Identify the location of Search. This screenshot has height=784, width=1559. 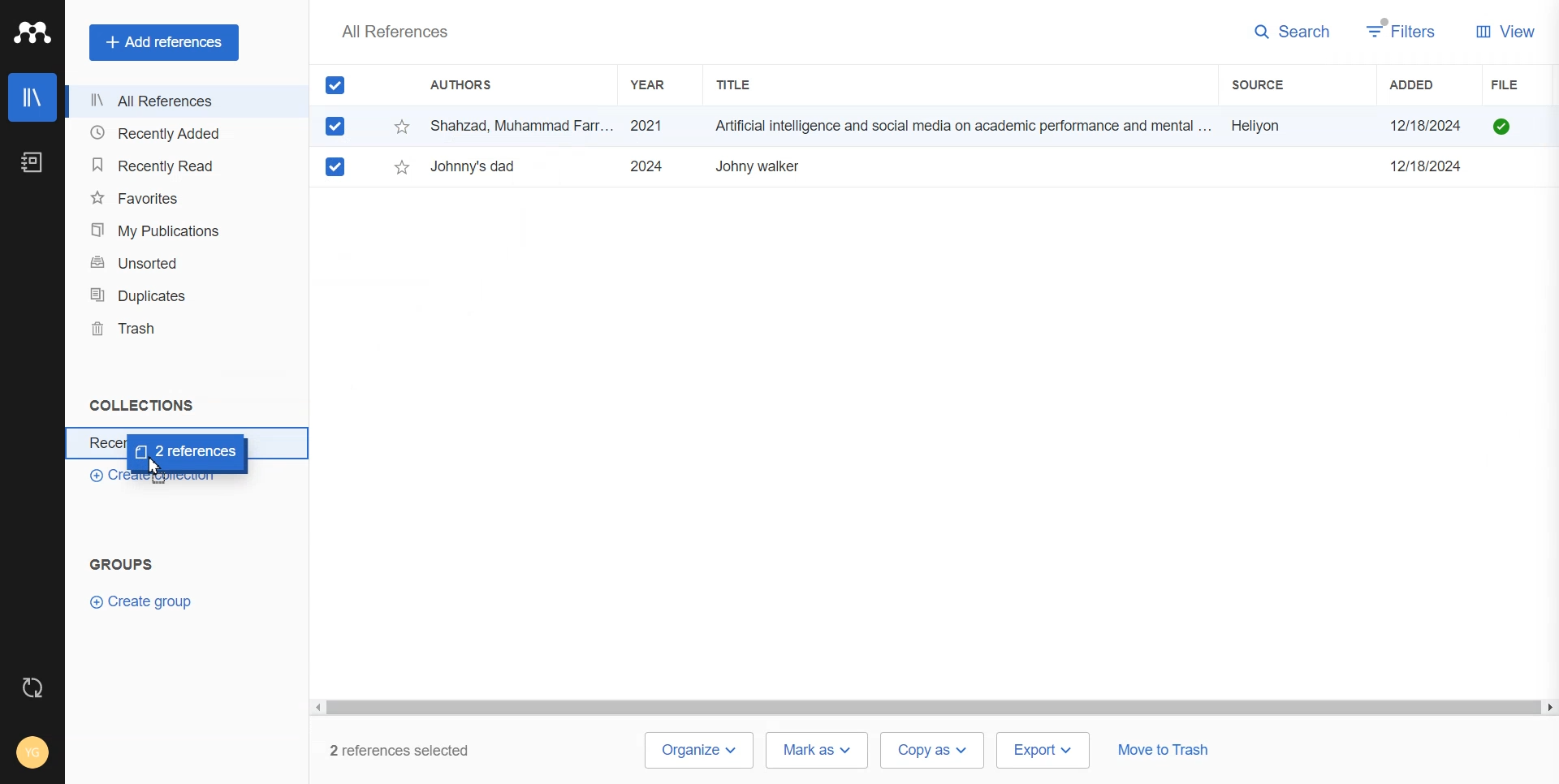
(1293, 32).